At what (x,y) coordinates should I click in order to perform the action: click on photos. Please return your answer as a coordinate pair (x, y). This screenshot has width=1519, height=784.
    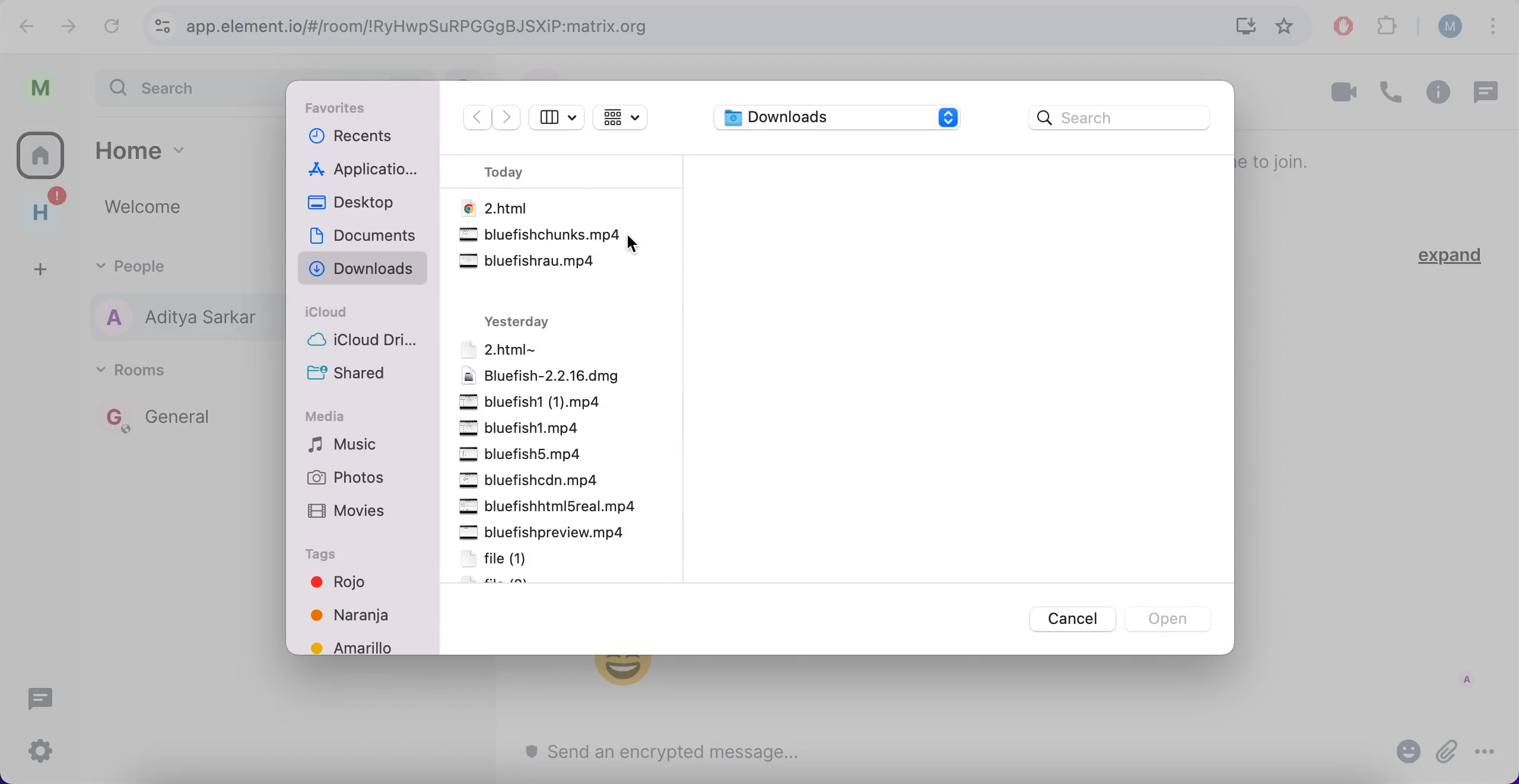
    Looking at the image, I should click on (360, 481).